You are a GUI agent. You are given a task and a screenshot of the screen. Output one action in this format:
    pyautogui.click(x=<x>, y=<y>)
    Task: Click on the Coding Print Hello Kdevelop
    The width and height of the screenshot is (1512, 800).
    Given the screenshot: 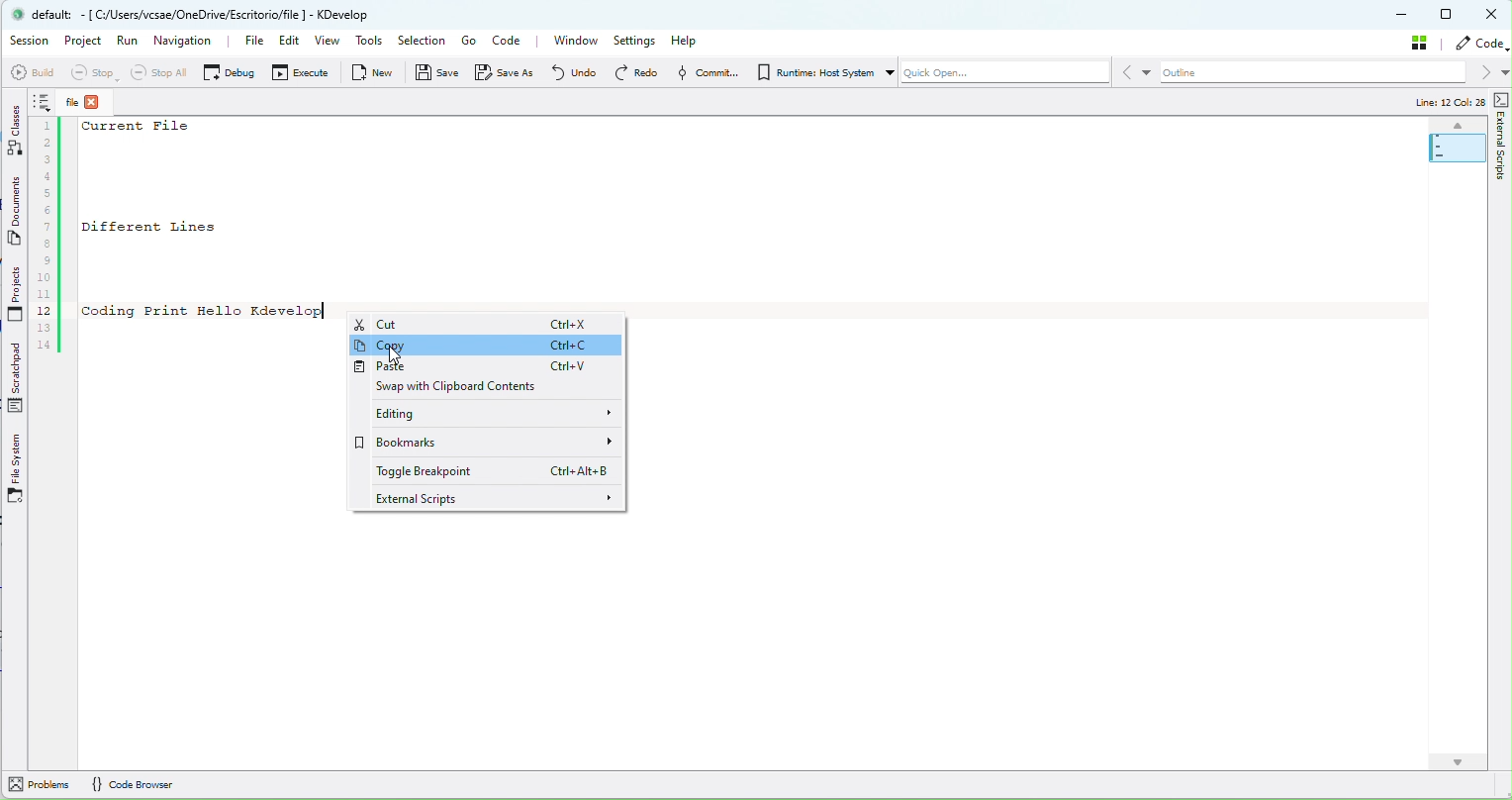 What is the action you would take?
    pyautogui.click(x=203, y=311)
    